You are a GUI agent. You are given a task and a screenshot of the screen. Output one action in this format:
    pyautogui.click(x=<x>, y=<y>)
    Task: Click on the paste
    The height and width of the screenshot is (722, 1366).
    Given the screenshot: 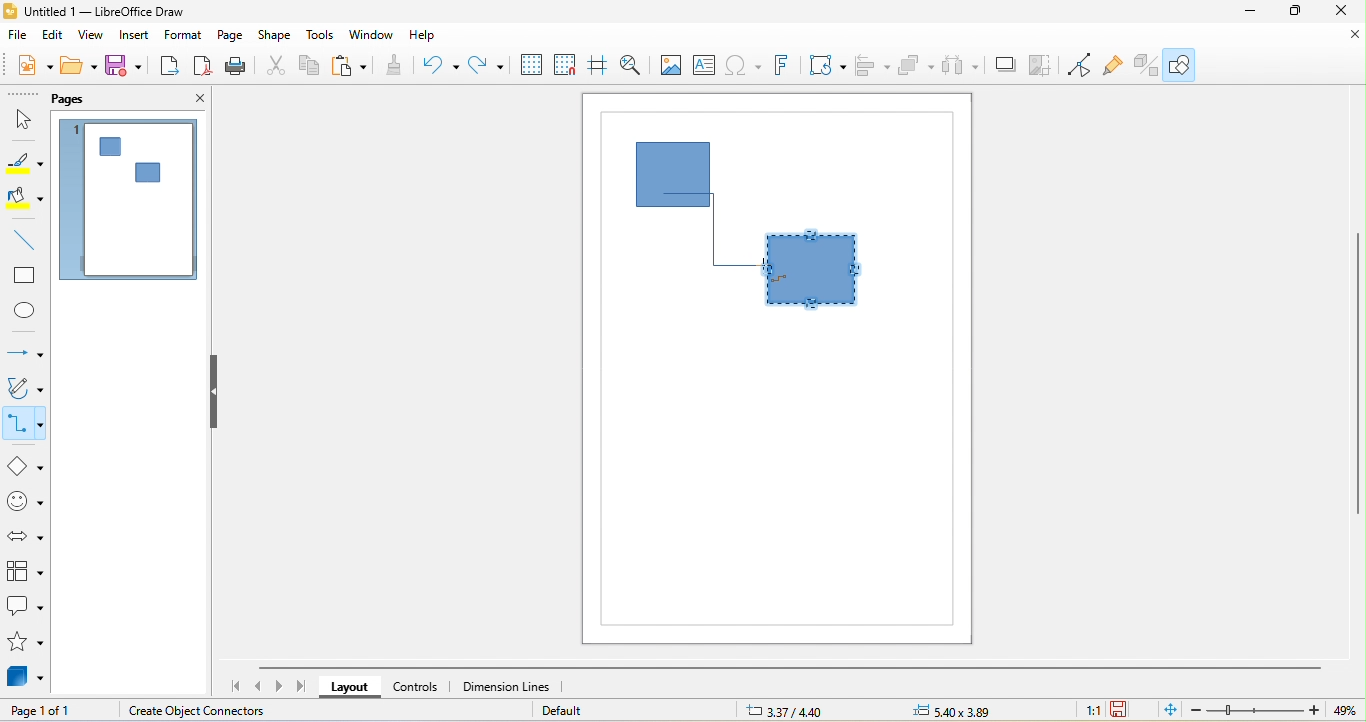 What is the action you would take?
    pyautogui.click(x=354, y=66)
    